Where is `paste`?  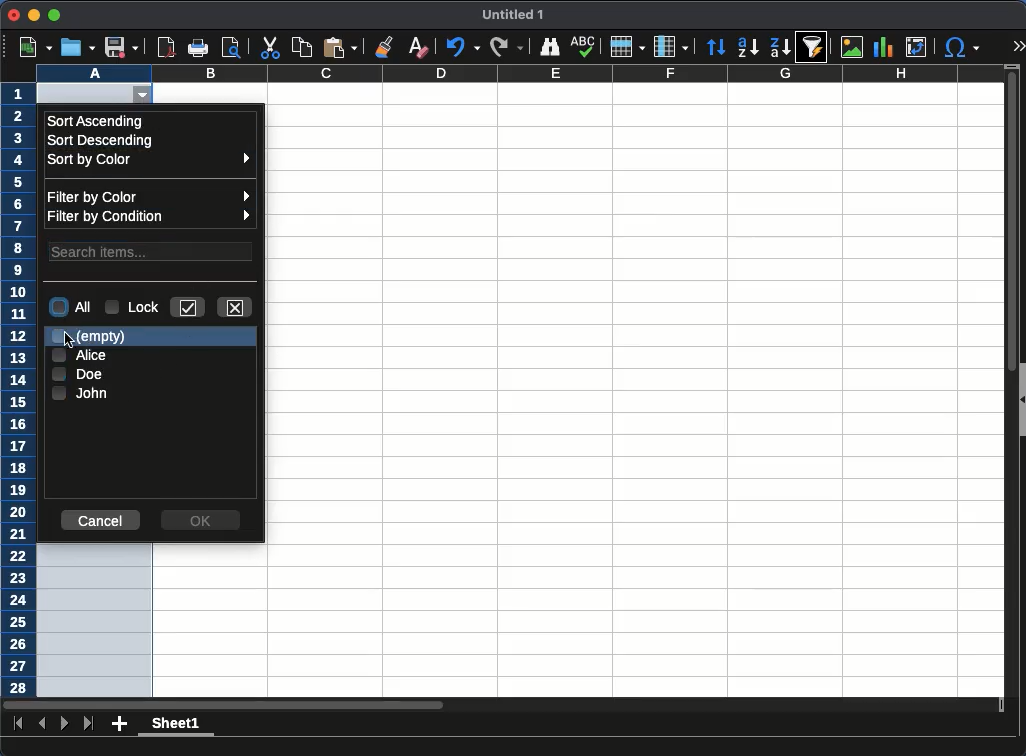 paste is located at coordinates (340, 47).